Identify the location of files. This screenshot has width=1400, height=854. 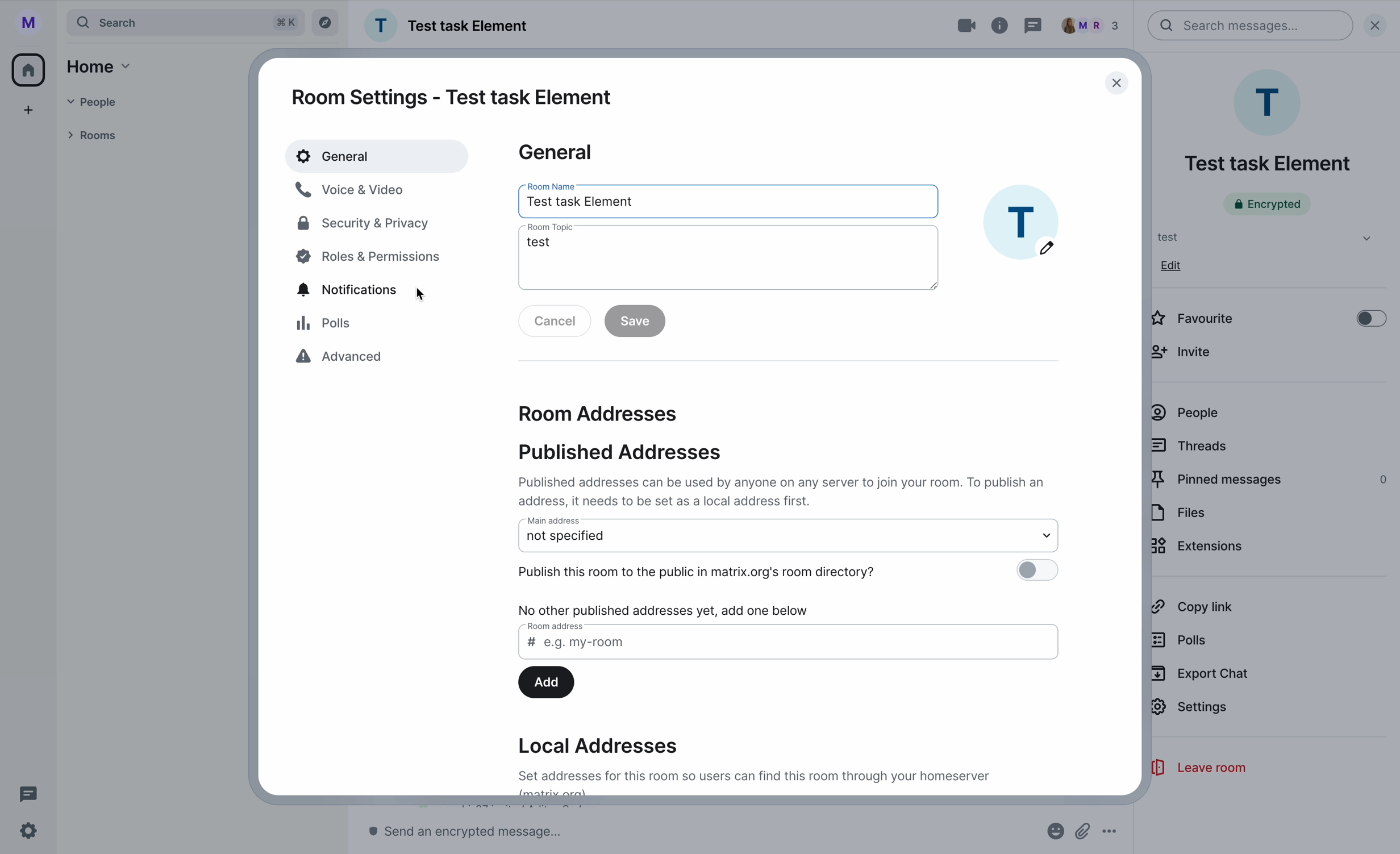
(1180, 513).